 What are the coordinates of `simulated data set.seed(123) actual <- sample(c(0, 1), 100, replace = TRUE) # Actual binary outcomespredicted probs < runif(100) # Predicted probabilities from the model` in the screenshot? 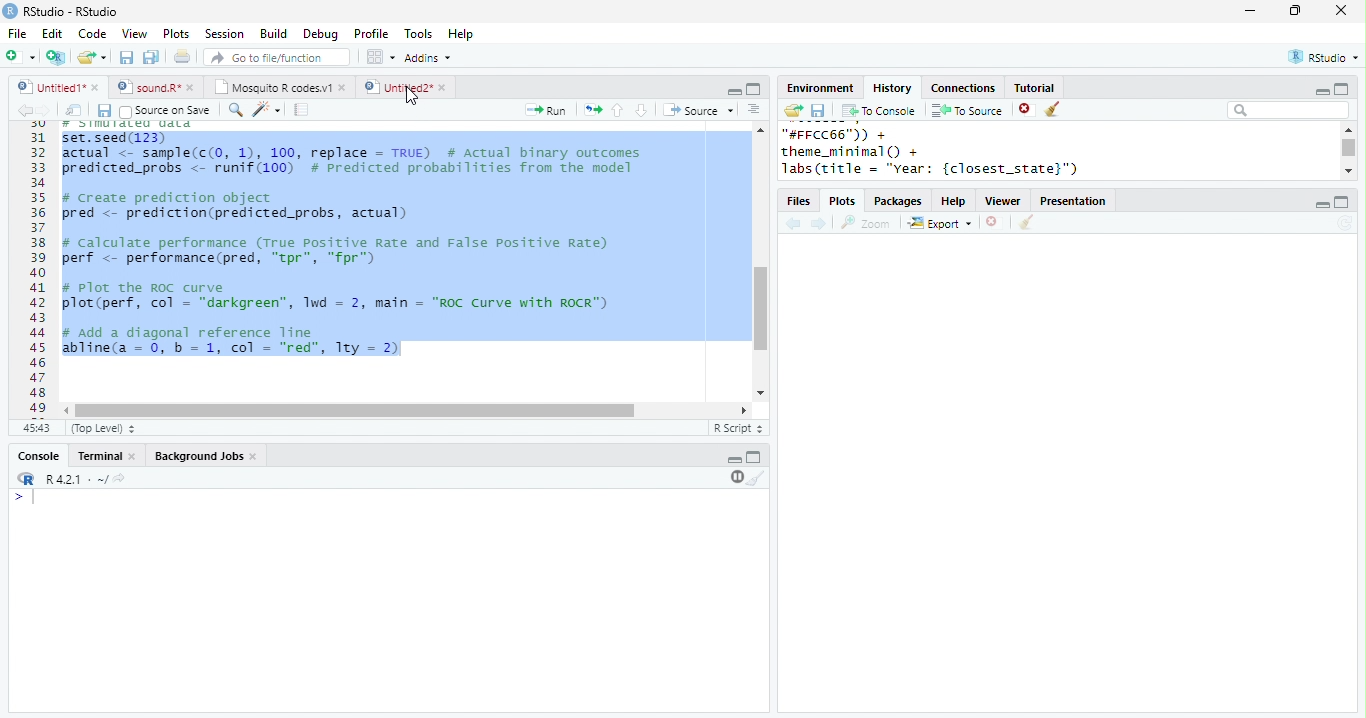 It's located at (355, 148).